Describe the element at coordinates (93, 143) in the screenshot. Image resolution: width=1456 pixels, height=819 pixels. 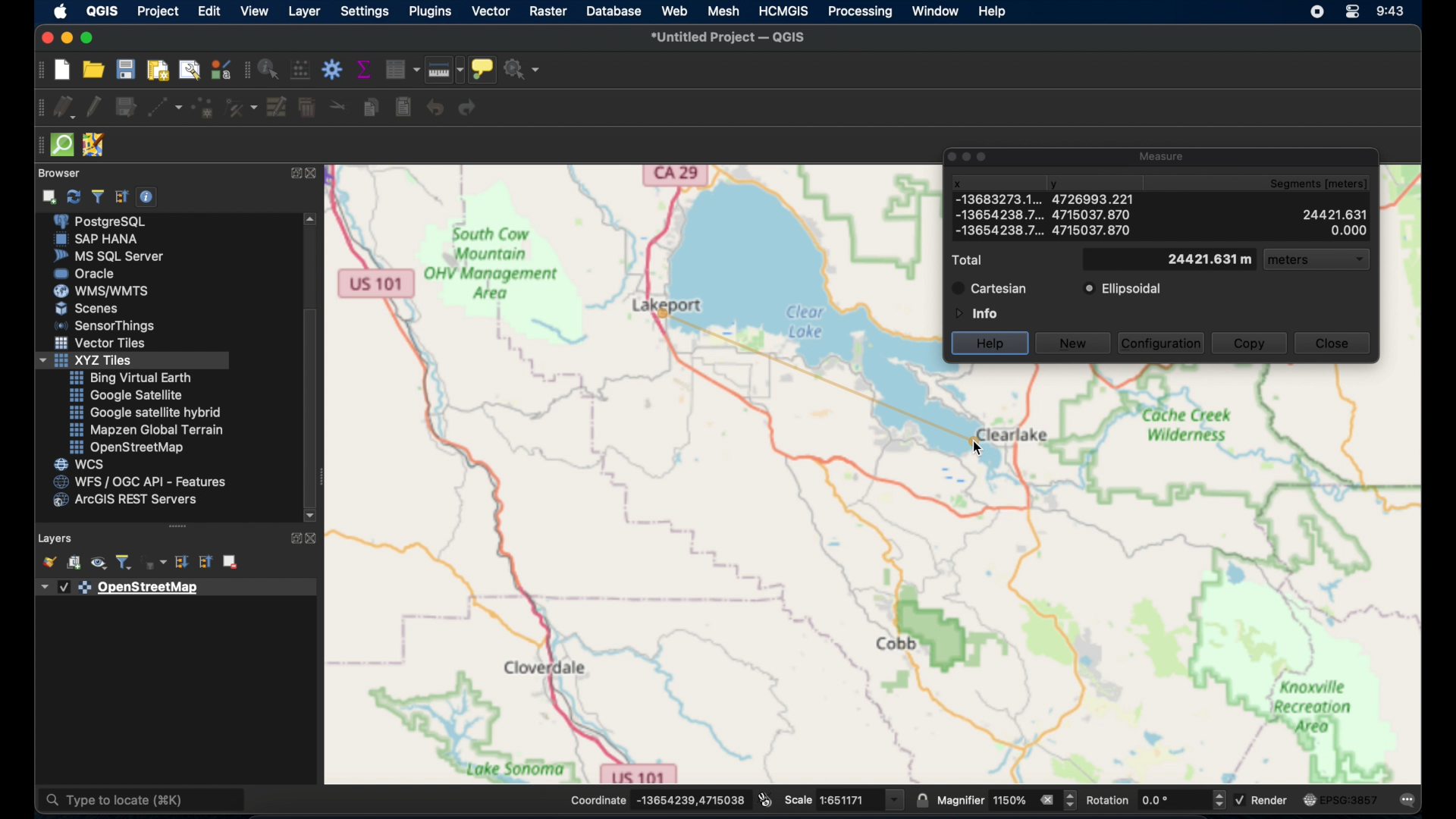
I see `JSOM remote` at that location.